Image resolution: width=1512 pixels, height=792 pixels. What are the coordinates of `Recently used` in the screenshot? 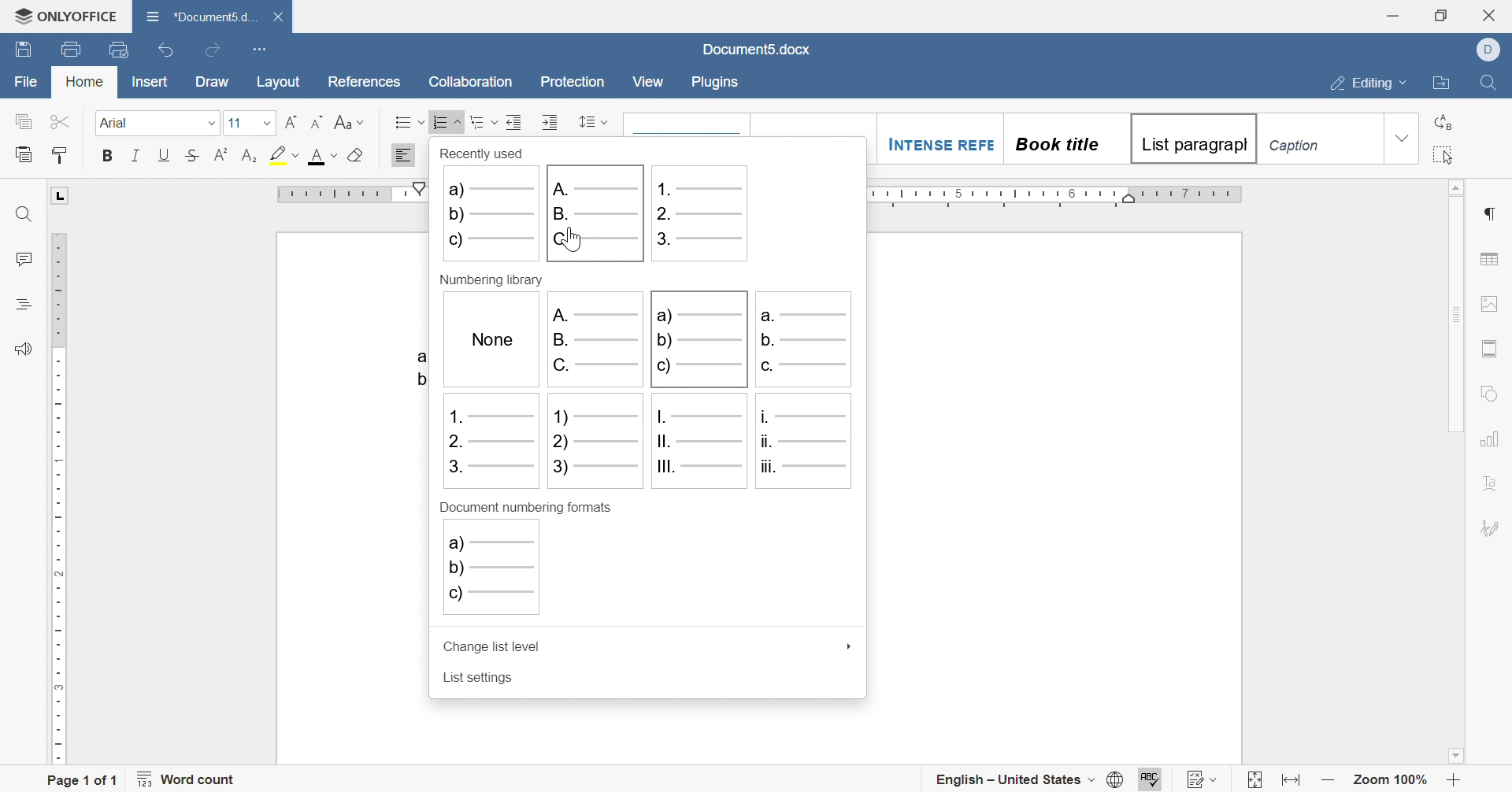 It's located at (487, 154).